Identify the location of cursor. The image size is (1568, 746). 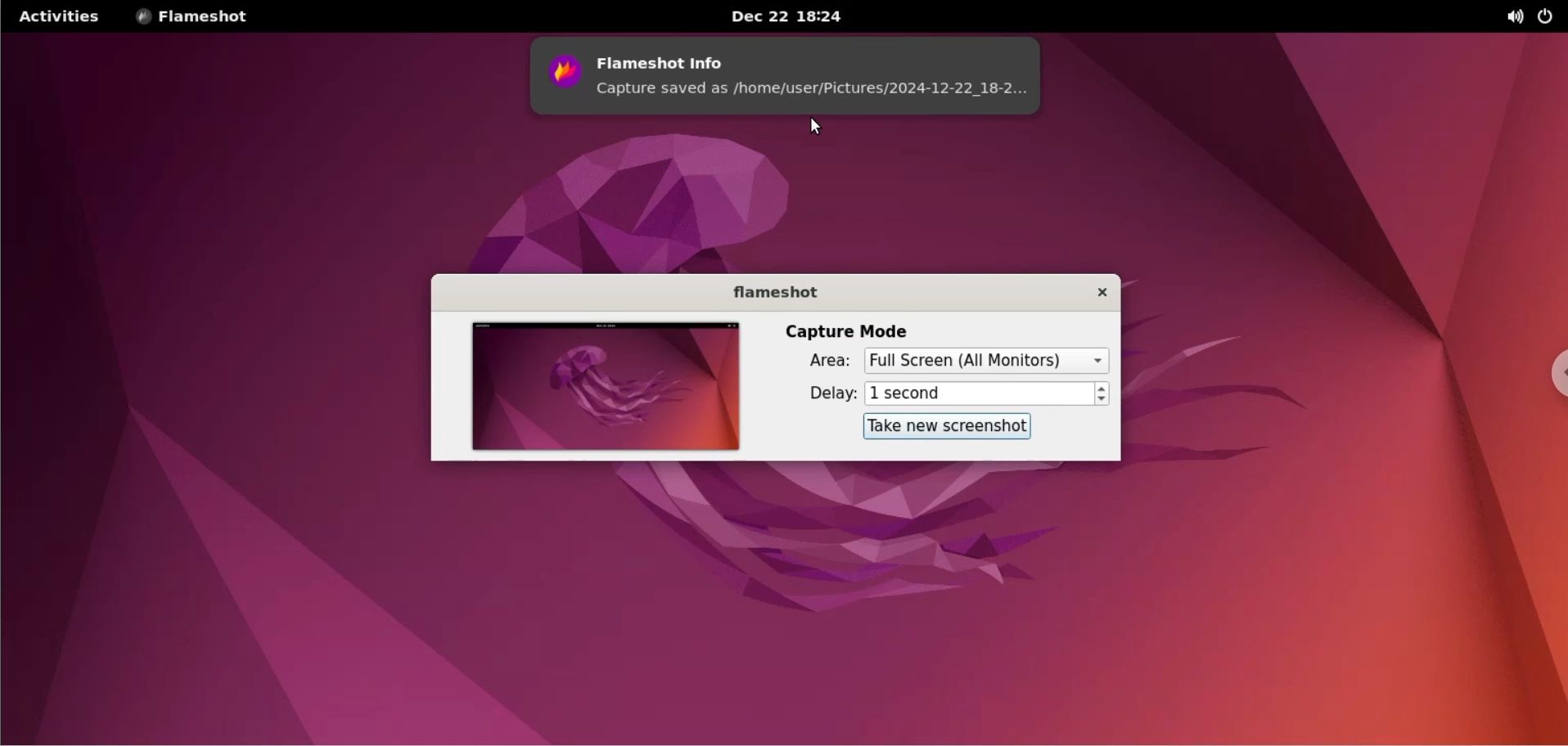
(817, 132).